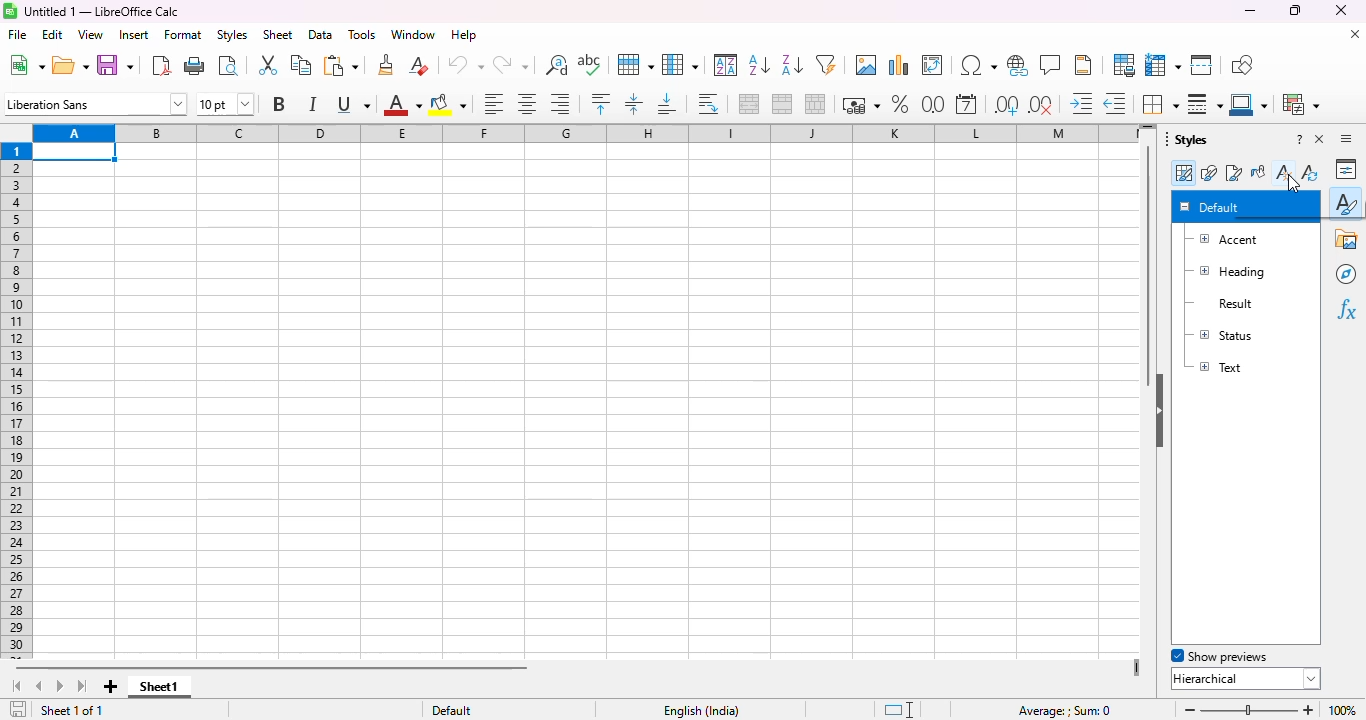 This screenshot has height=720, width=1366. What do you see at coordinates (1341, 10) in the screenshot?
I see `close` at bounding box center [1341, 10].